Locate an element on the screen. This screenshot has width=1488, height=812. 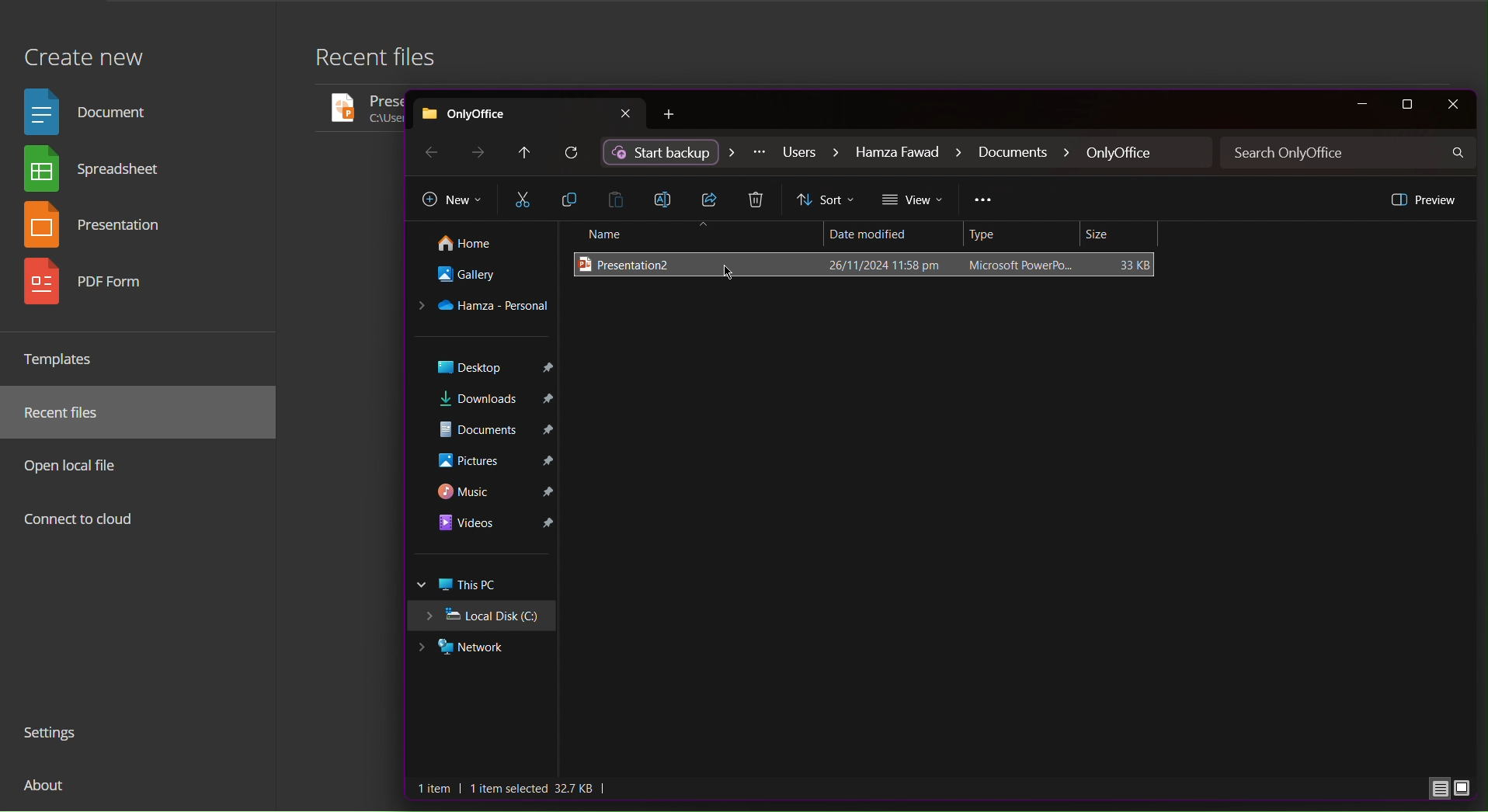
Spreadsheet is located at coordinates (98, 172).